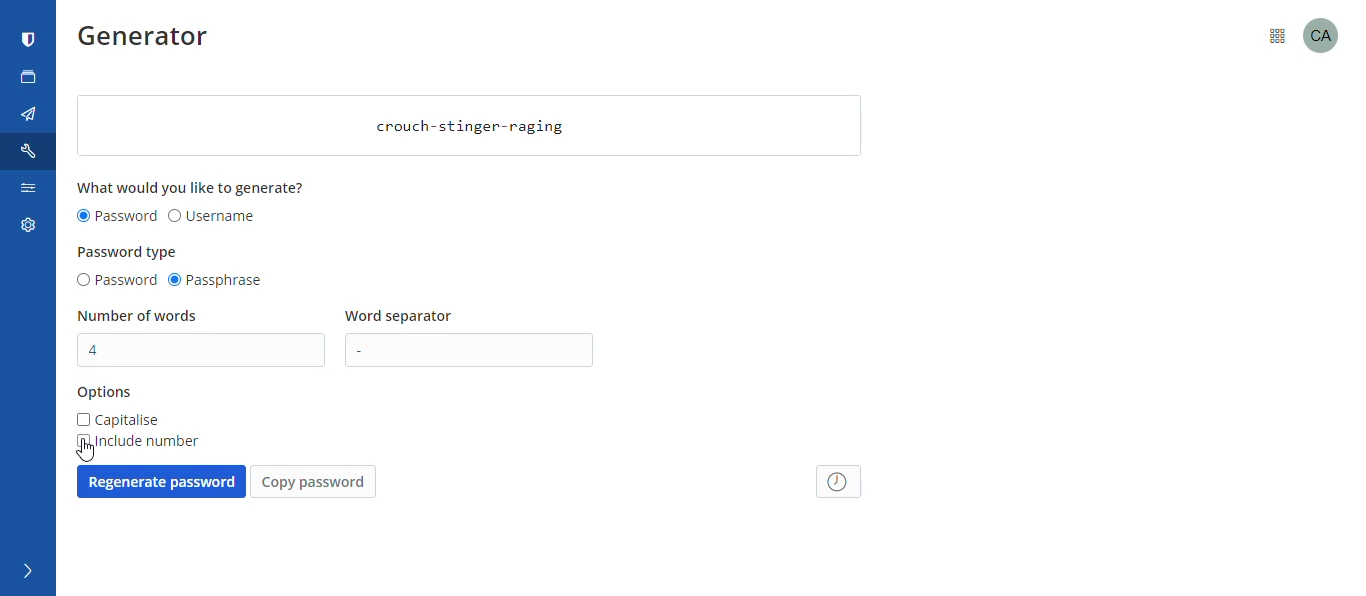 This screenshot has height=596, width=1366. I want to click on menu, so click(1277, 34).